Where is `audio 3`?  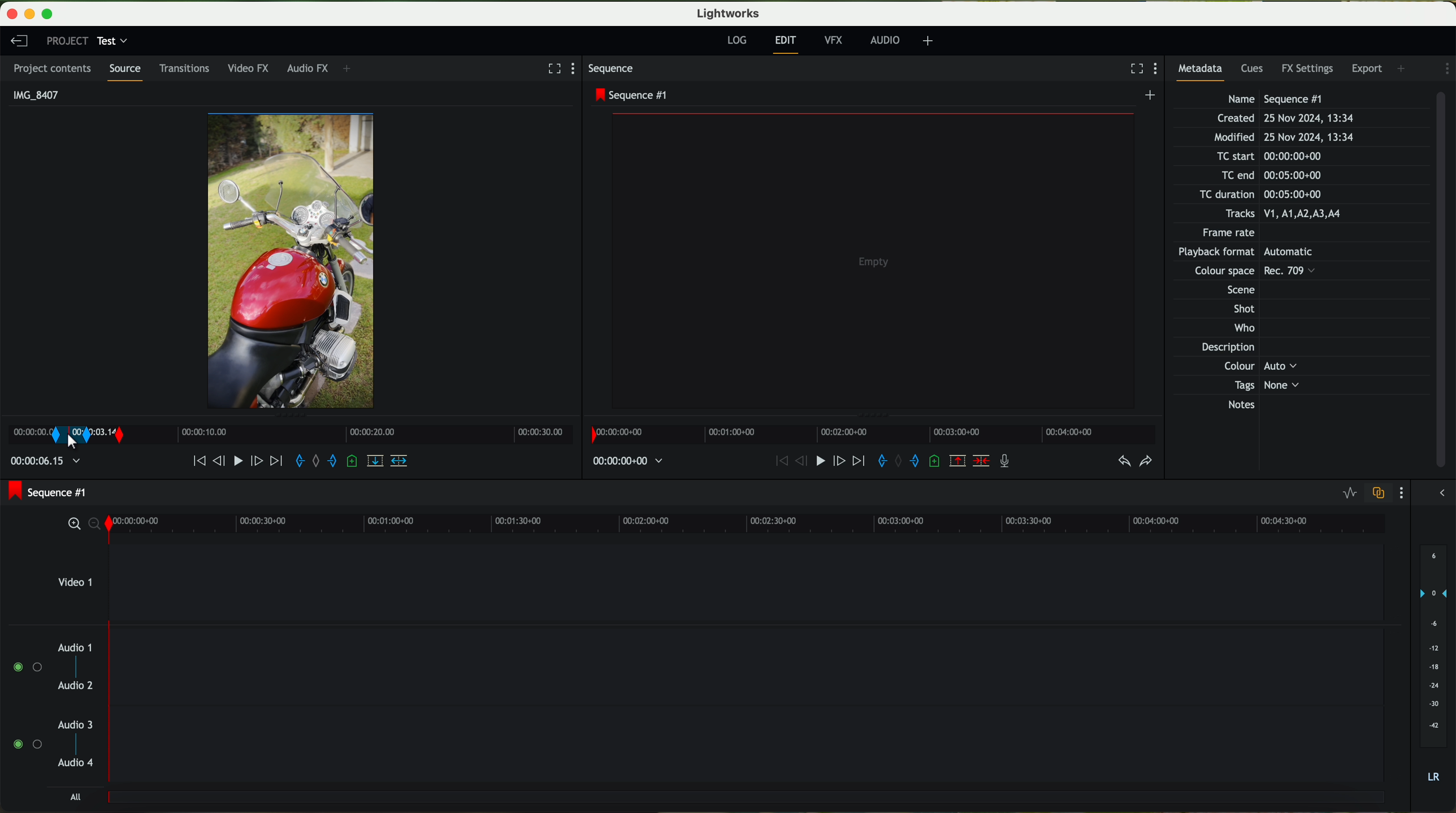
audio 3 is located at coordinates (76, 724).